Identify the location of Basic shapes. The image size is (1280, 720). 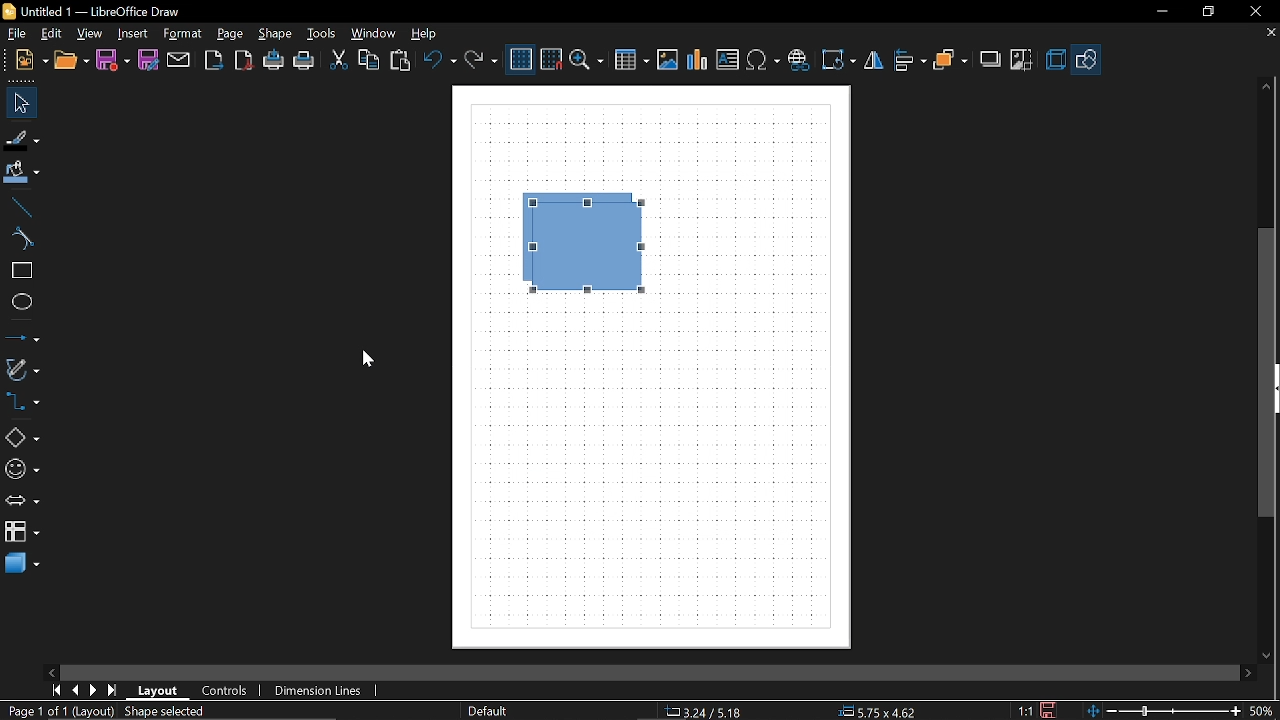
(22, 434).